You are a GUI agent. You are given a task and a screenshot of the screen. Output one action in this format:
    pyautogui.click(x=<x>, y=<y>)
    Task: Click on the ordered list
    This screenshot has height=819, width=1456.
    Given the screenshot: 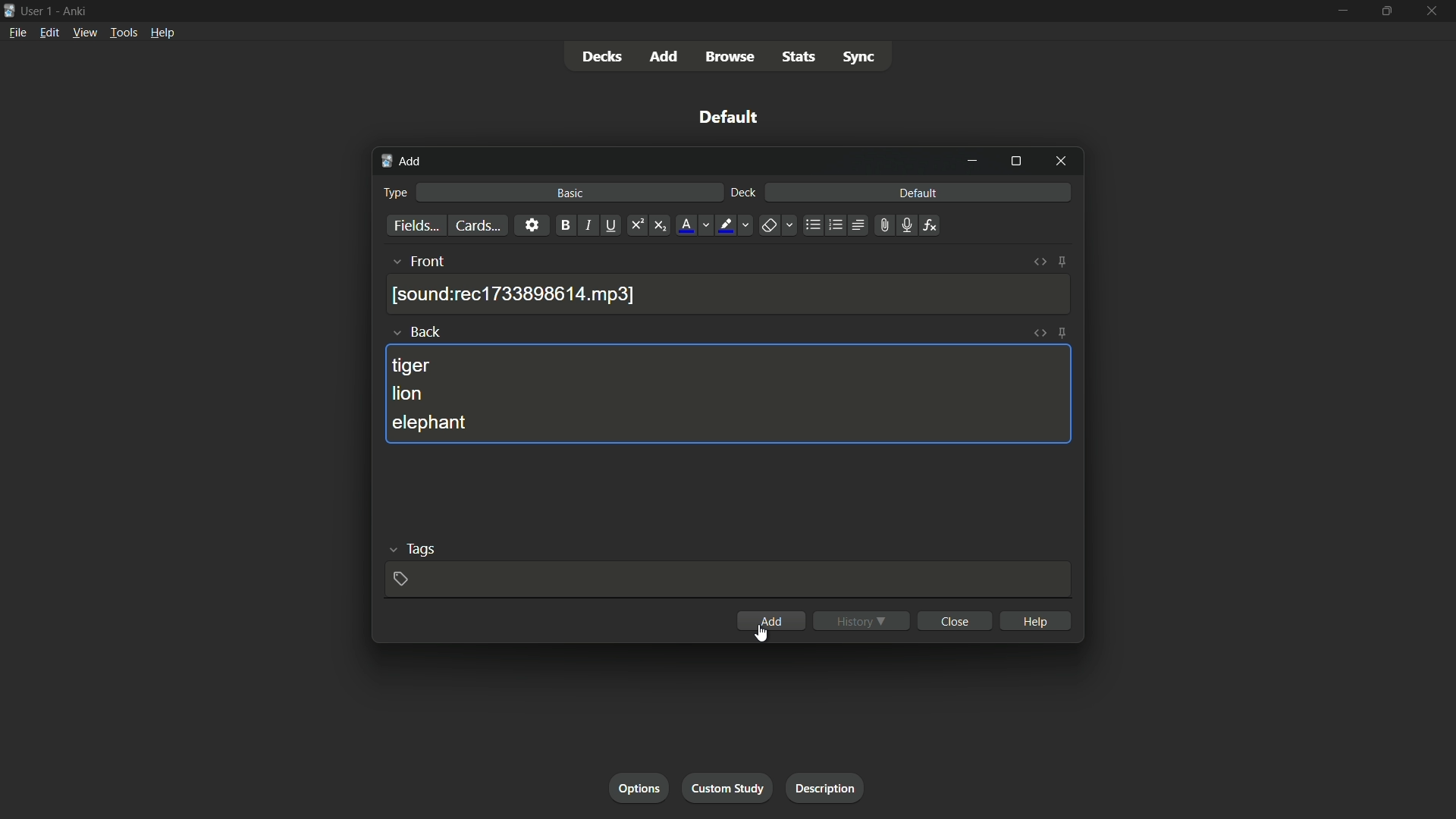 What is the action you would take?
    pyautogui.click(x=834, y=225)
    